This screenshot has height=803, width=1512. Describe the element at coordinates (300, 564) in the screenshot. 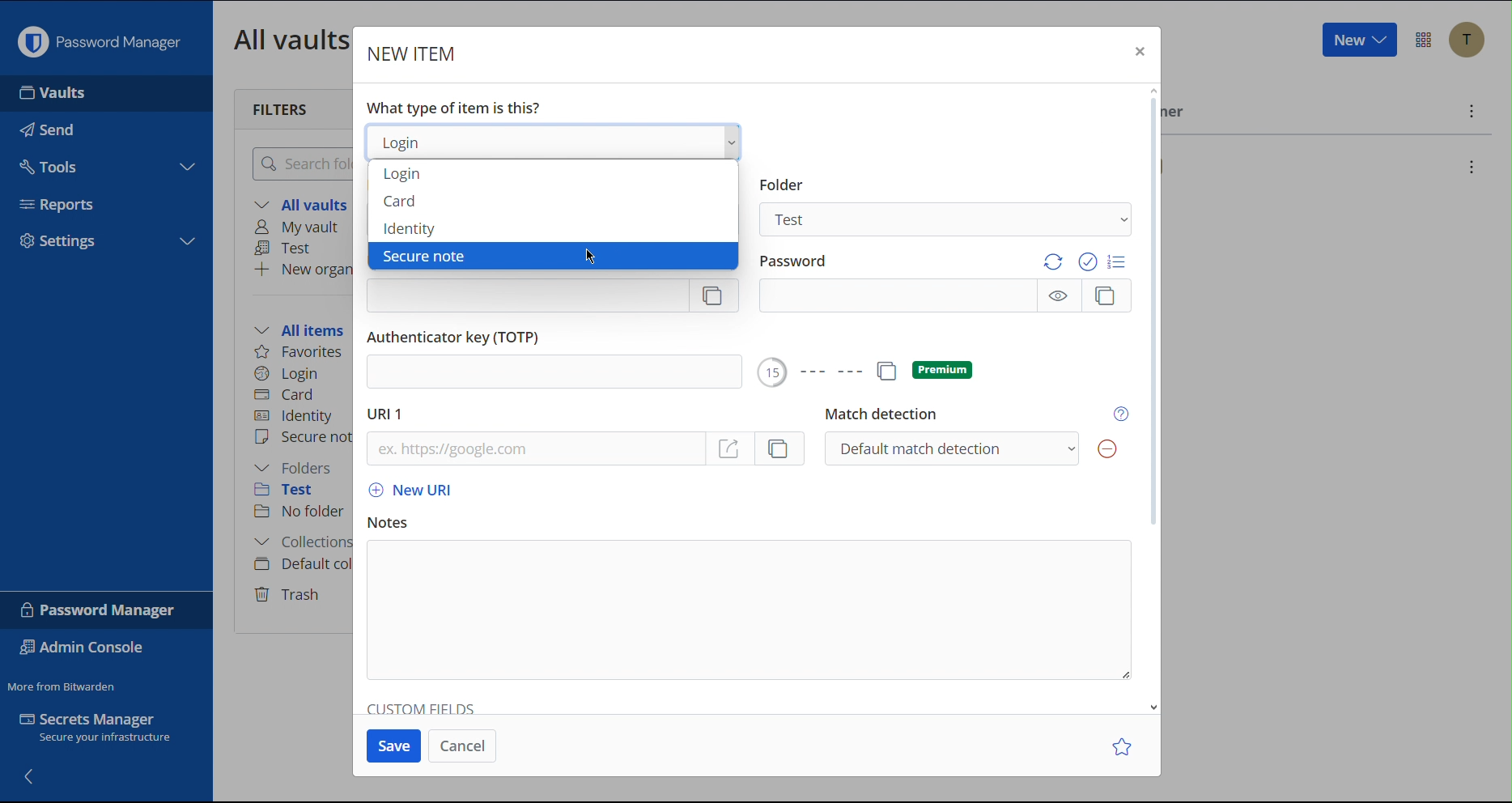

I see `Default collection` at that location.